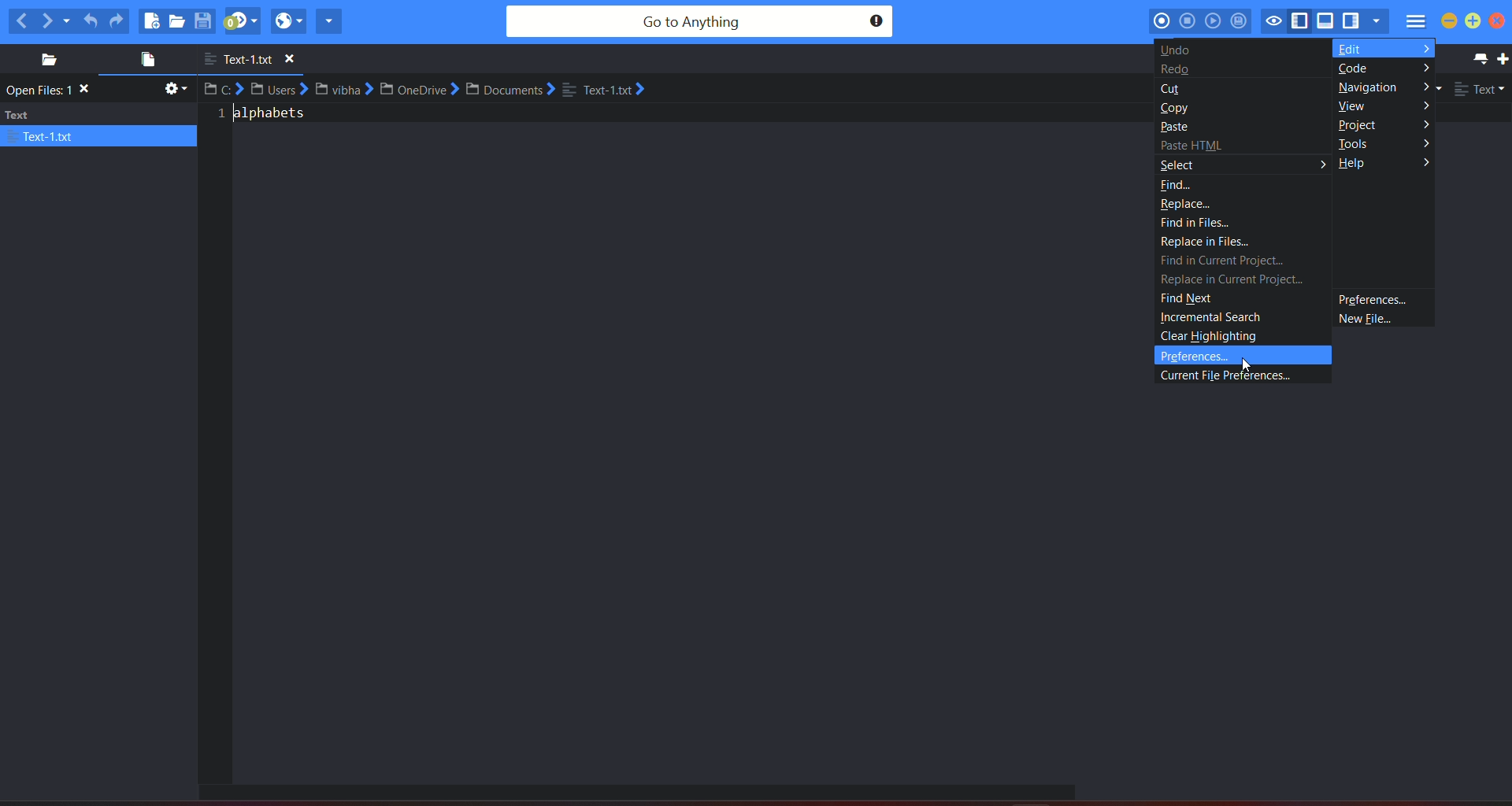 The width and height of the screenshot is (1512, 806). I want to click on places, so click(43, 60).